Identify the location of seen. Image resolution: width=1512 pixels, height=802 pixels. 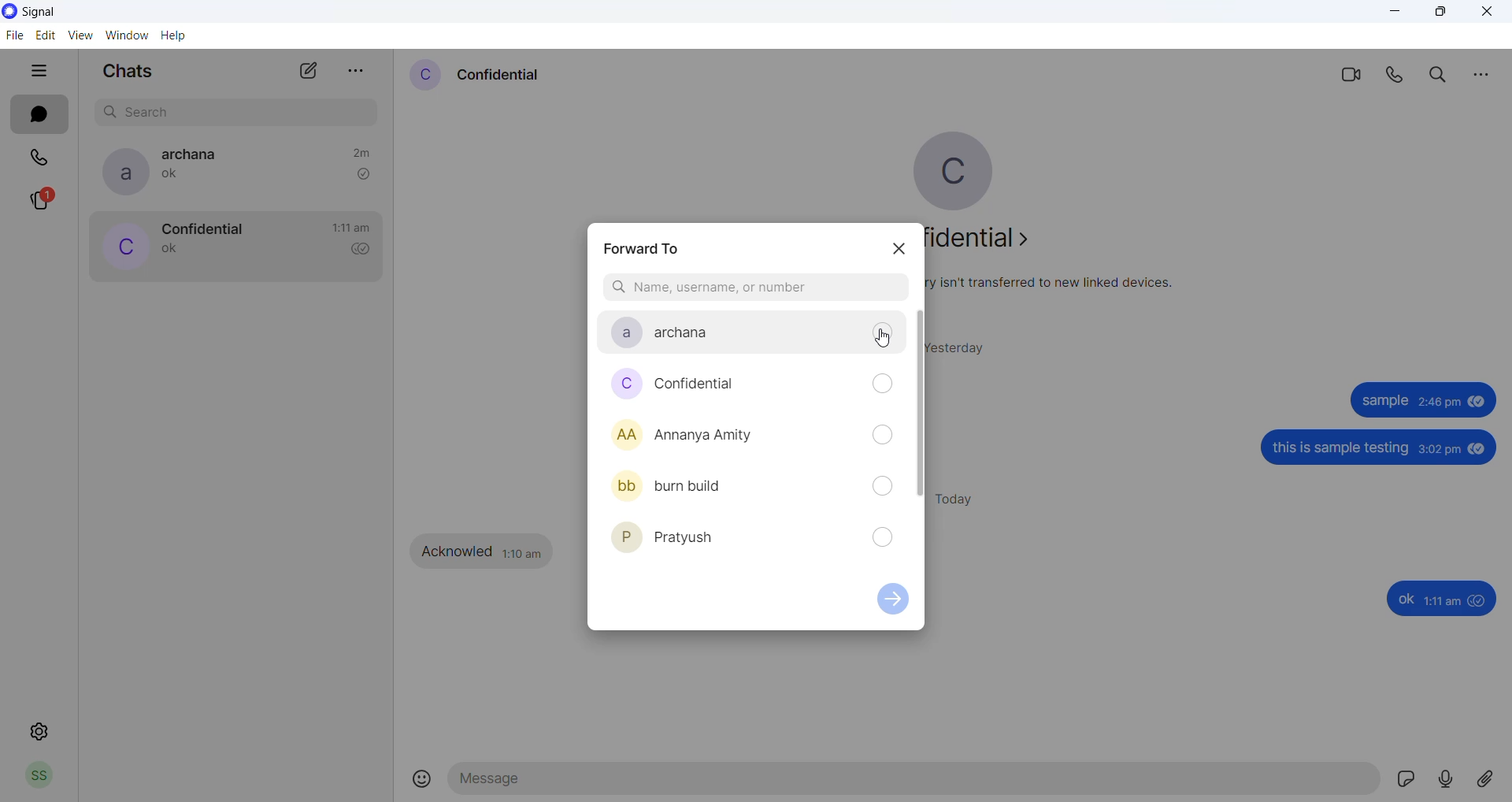
(1480, 601).